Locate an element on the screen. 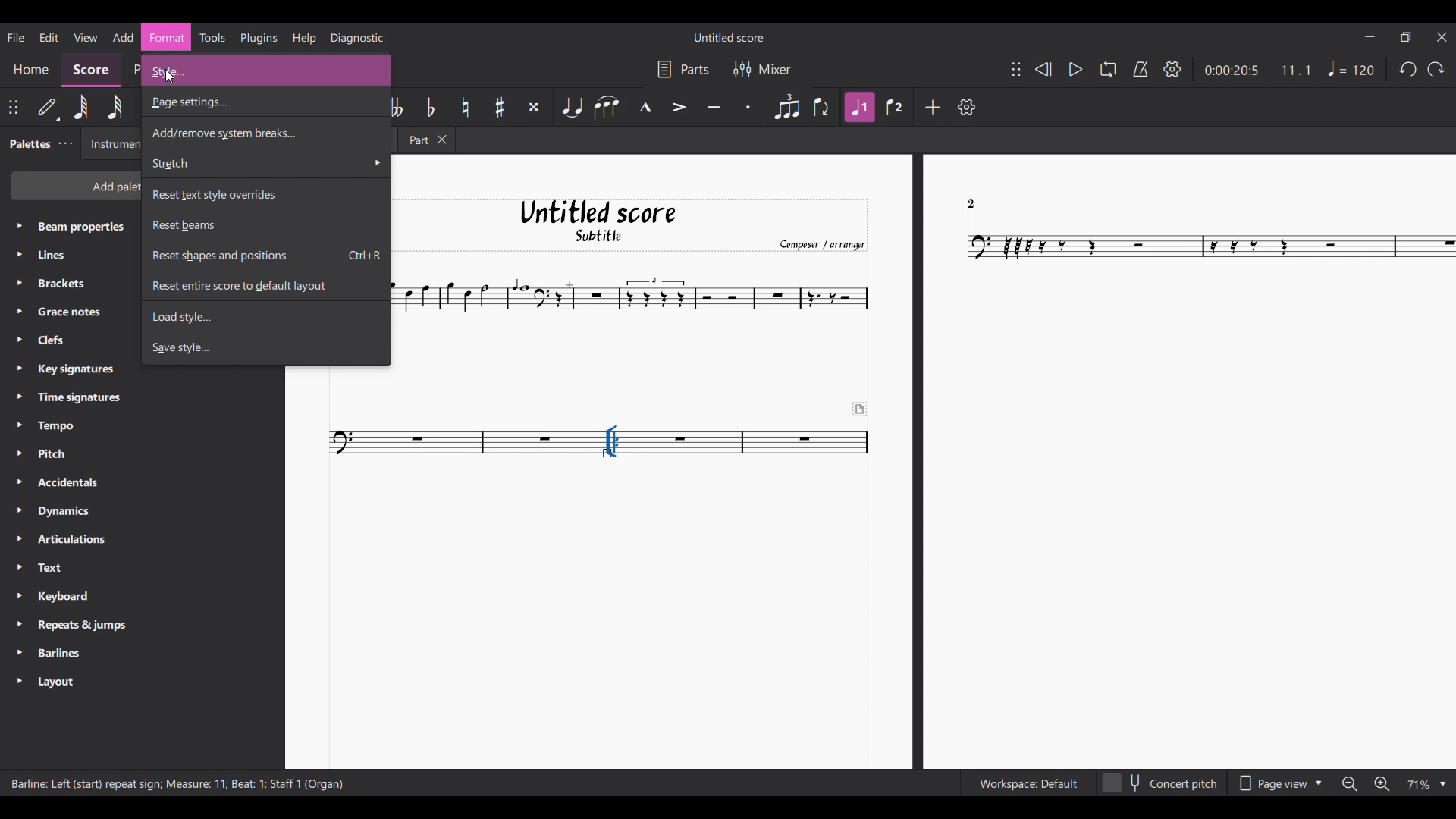 The image size is (1456, 819). Undo is located at coordinates (1407, 69).